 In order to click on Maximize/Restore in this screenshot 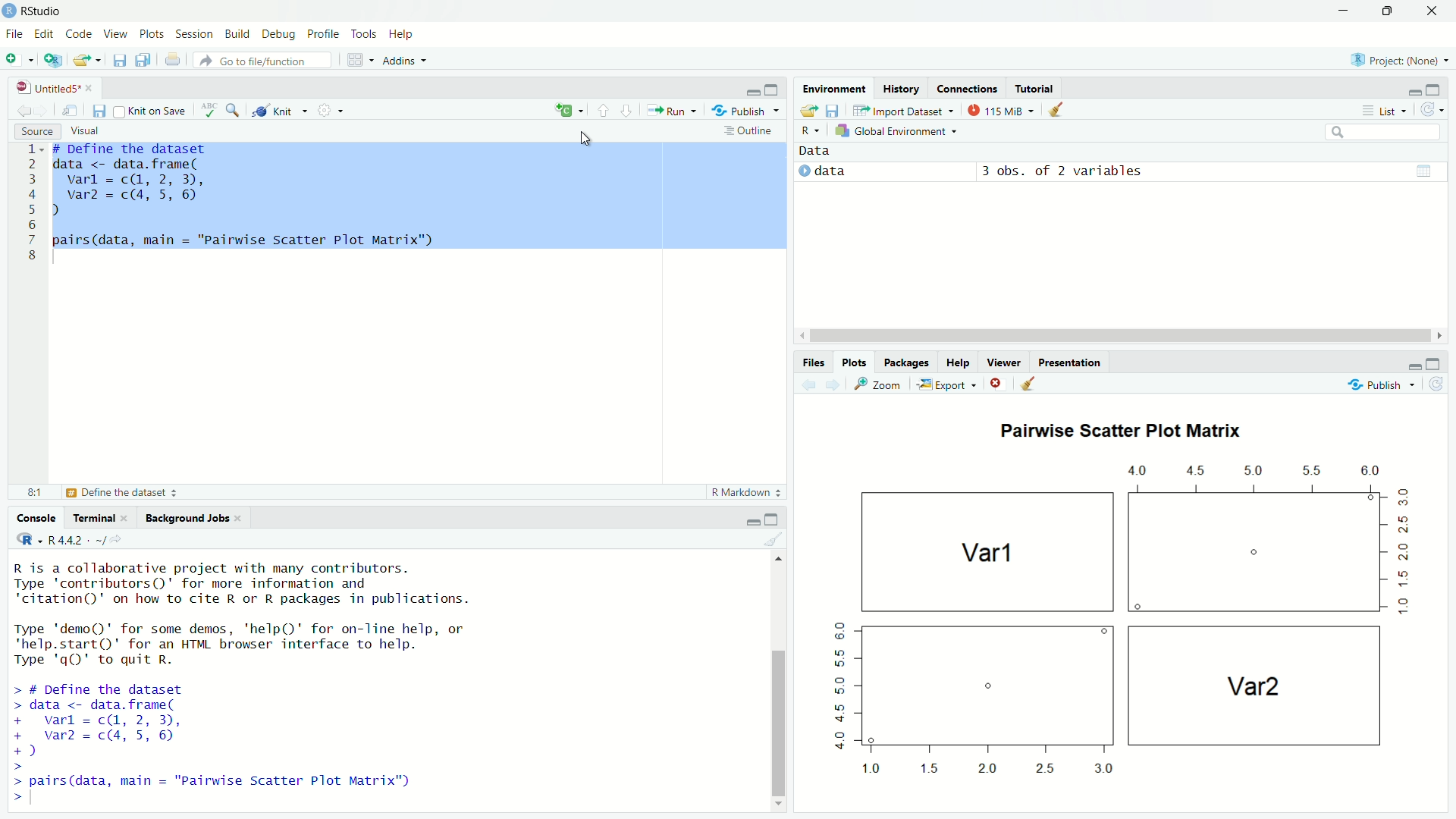, I will do `click(1388, 9)`.